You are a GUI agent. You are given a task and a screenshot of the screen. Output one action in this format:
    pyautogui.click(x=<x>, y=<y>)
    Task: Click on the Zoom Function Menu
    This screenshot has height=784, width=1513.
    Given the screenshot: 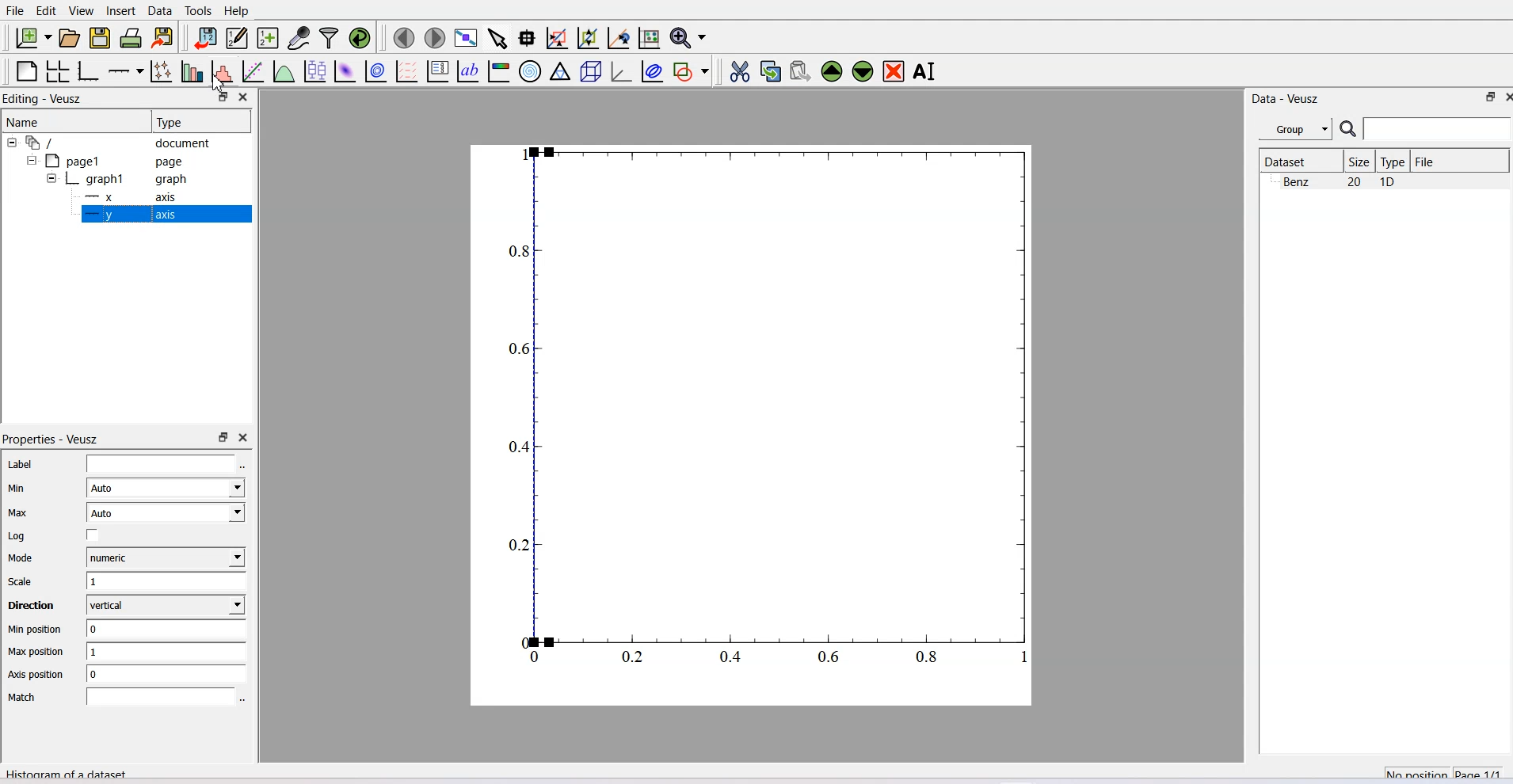 What is the action you would take?
    pyautogui.click(x=690, y=37)
    